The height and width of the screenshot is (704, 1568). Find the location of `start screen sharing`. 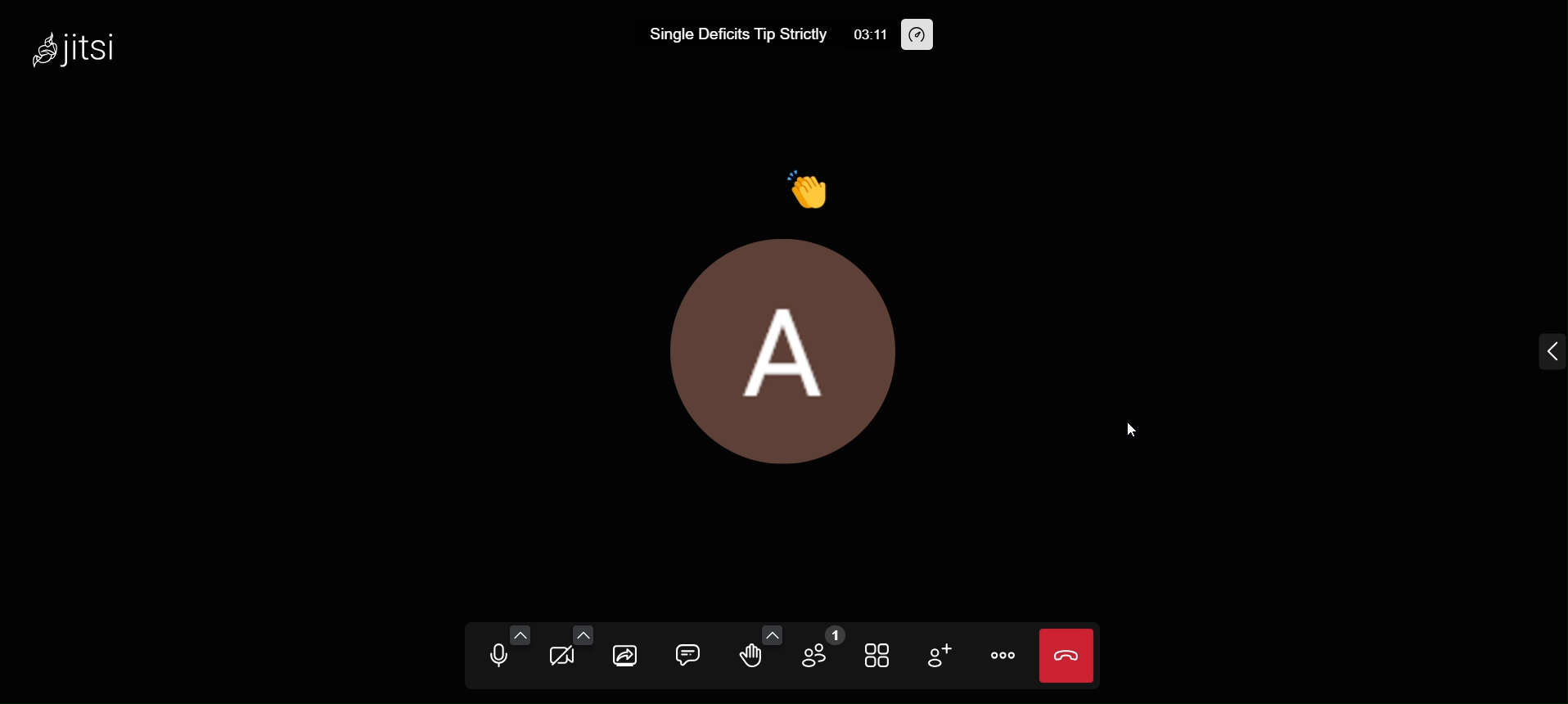

start screen sharing is located at coordinates (626, 653).